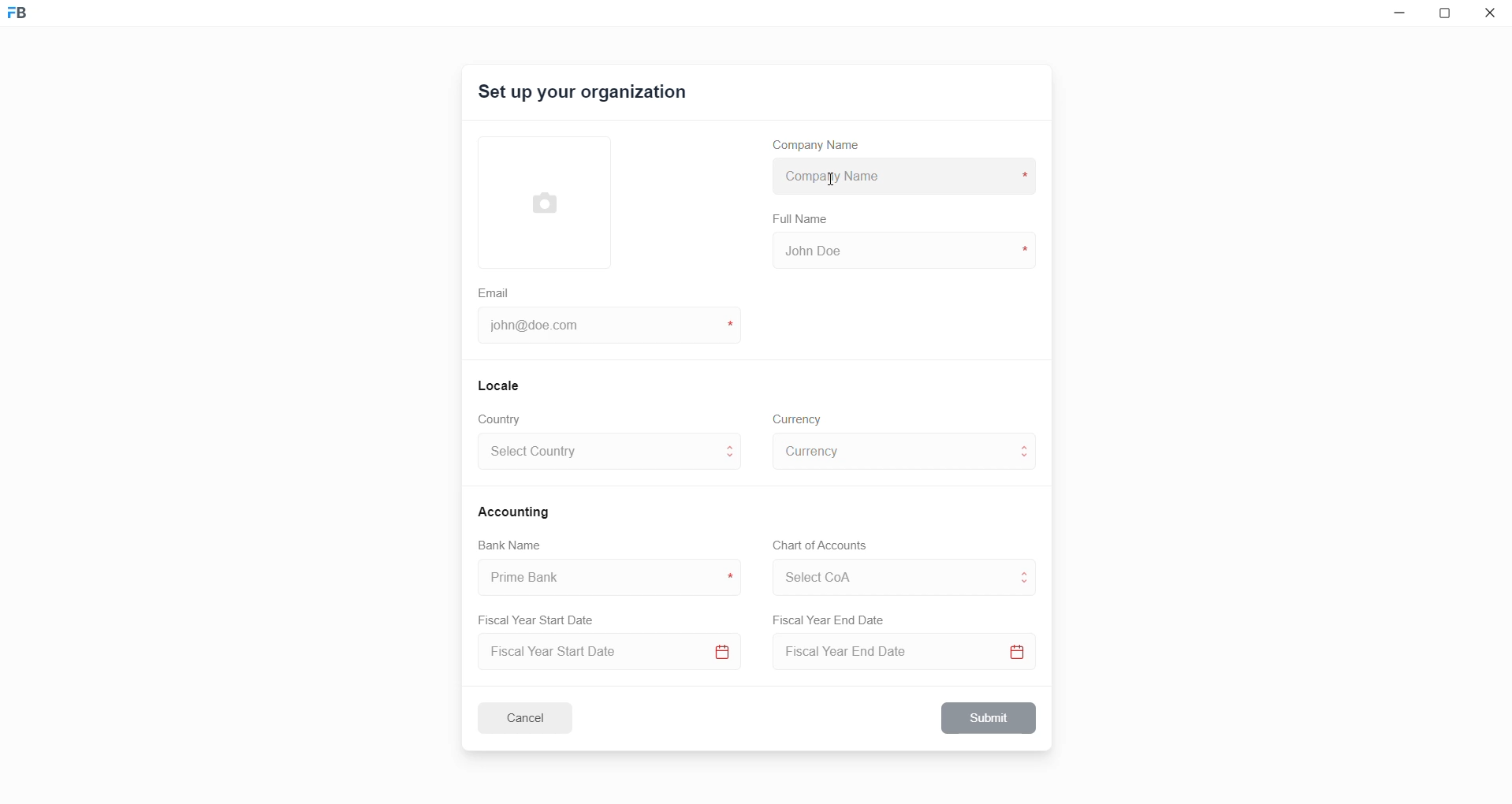  What do you see at coordinates (1028, 460) in the screenshot?
I see `move to below currency` at bounding box center [1028, 460].